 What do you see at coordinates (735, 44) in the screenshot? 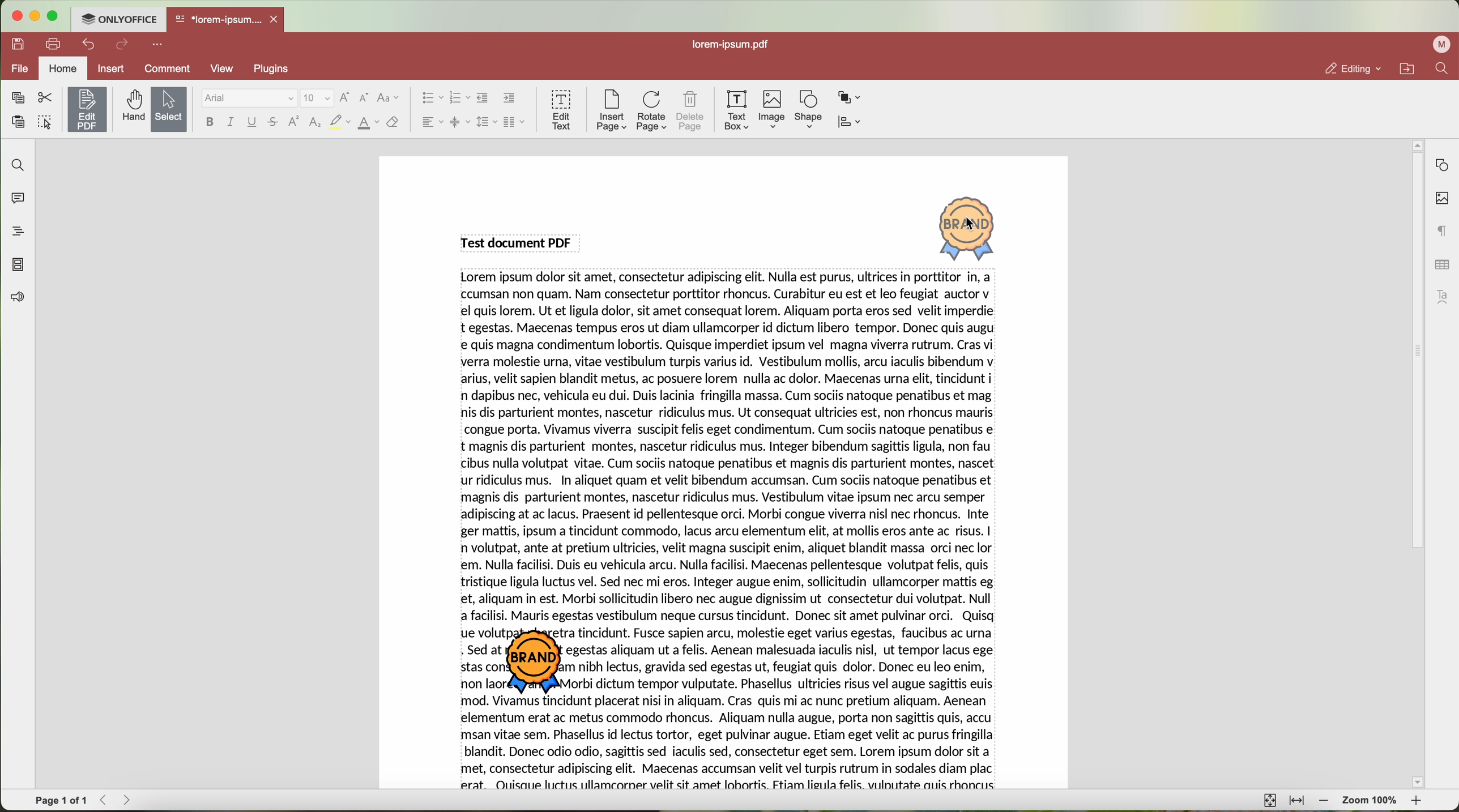
I see `lorem-ipsum.pdf` at bounding box center [735, 44].